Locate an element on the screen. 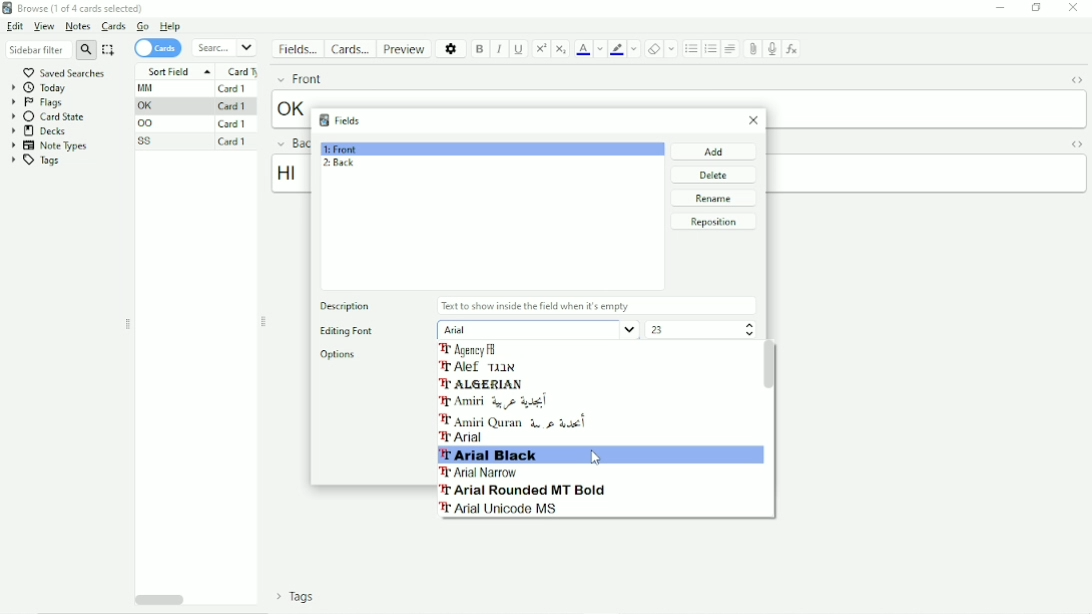 This screenshot has height=614, width=1092. Arial Black is located at coordinates (490, 454).